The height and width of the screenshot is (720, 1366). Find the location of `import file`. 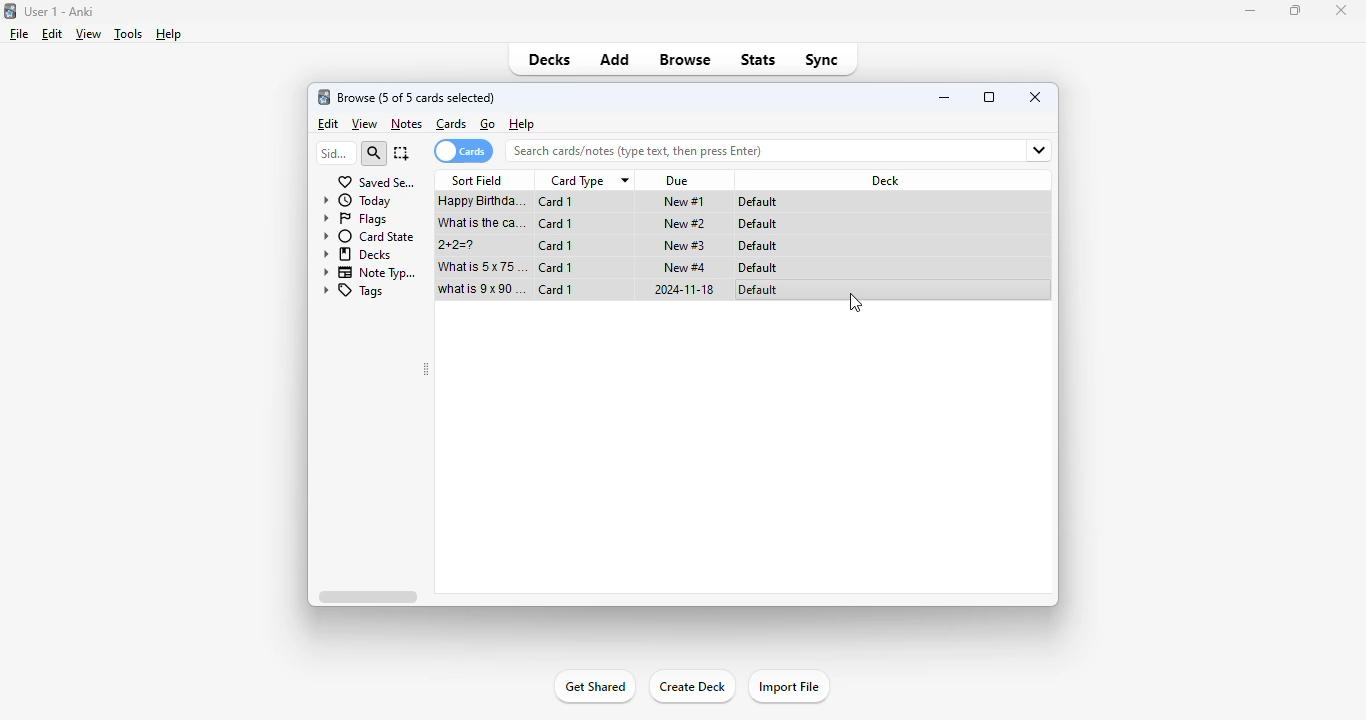

import file is located at coordinates (789, 686).